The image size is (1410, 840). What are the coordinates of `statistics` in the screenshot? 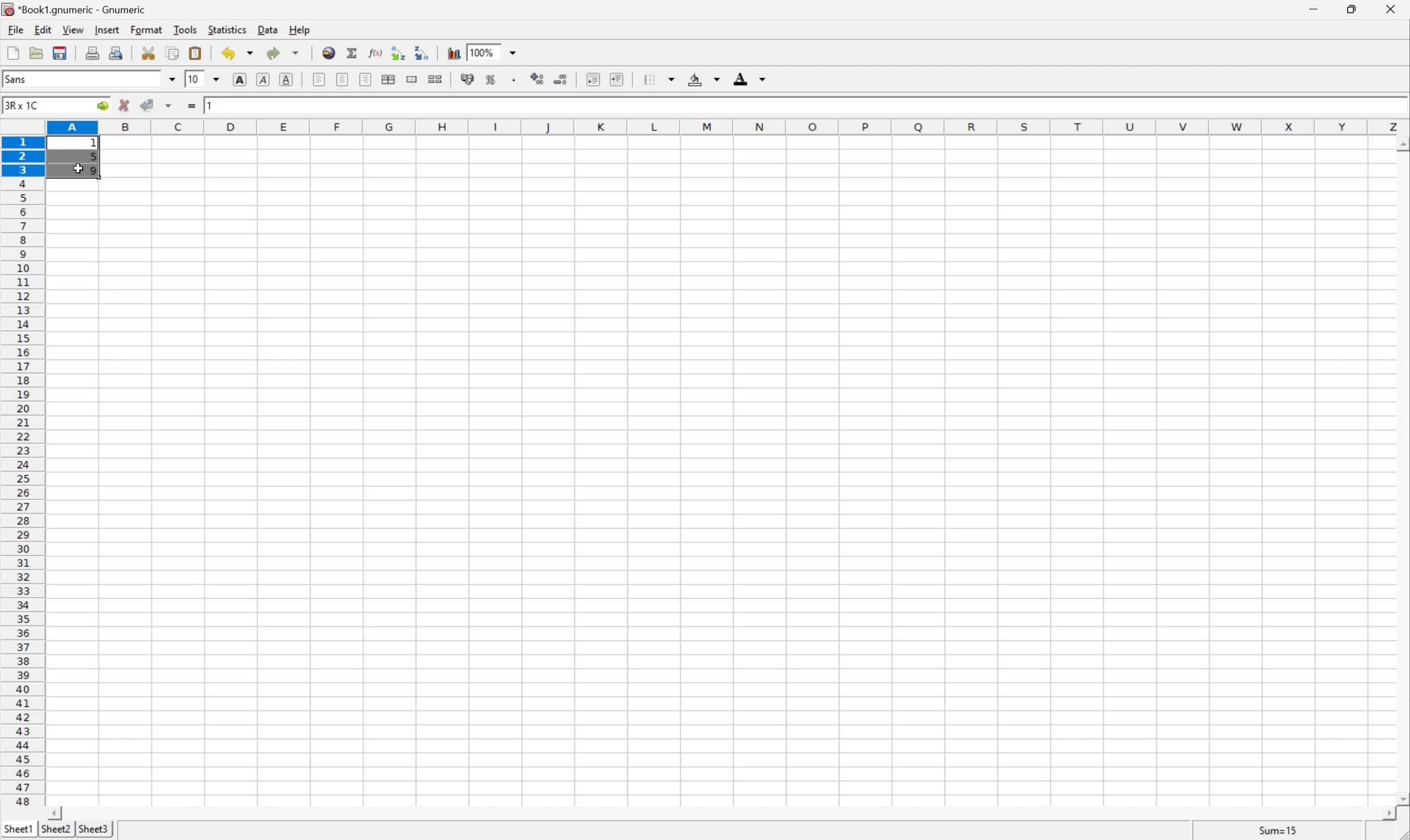 It's located at (226, 29).